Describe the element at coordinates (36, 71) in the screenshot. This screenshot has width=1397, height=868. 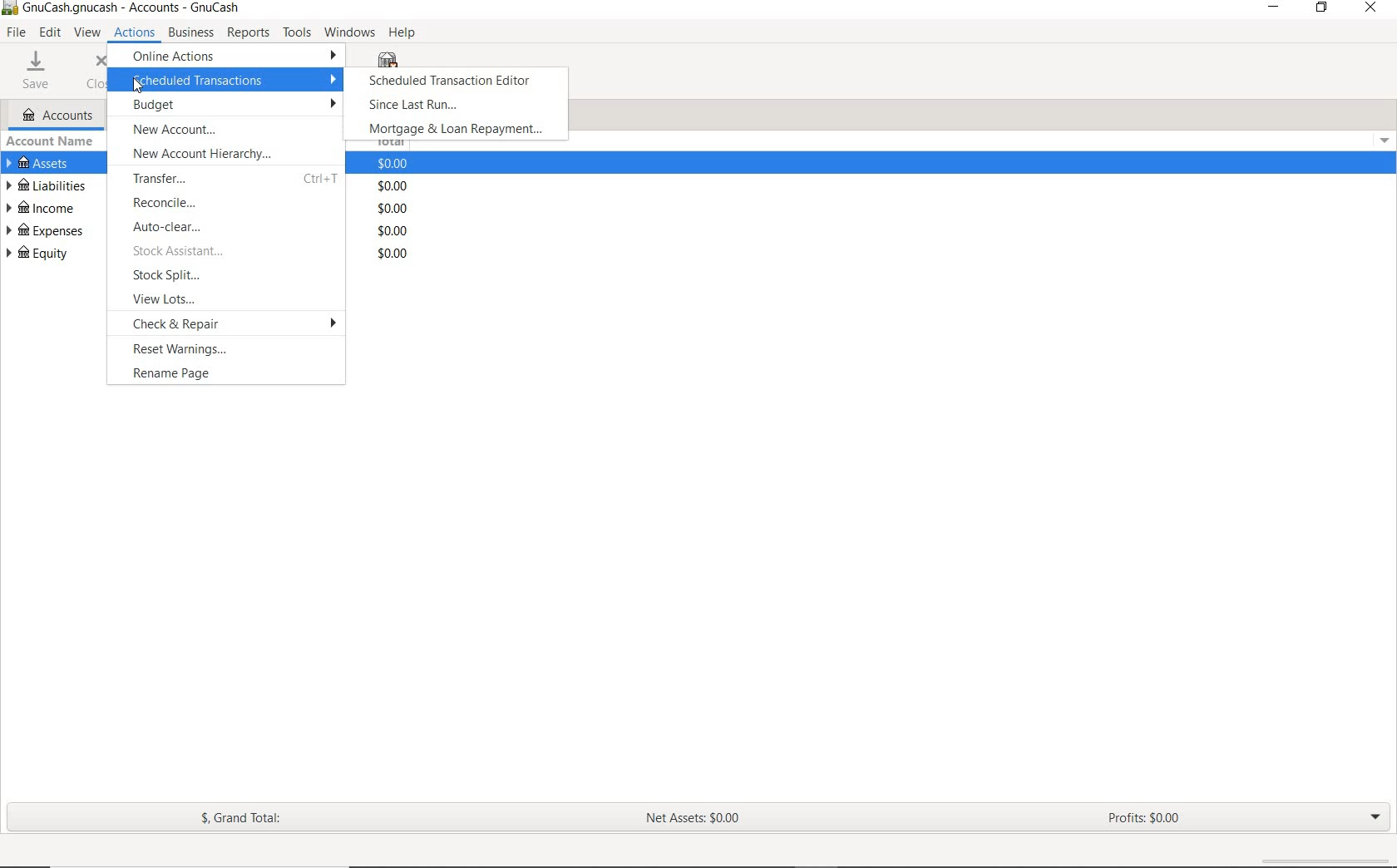
I see `SAVE` at that location.